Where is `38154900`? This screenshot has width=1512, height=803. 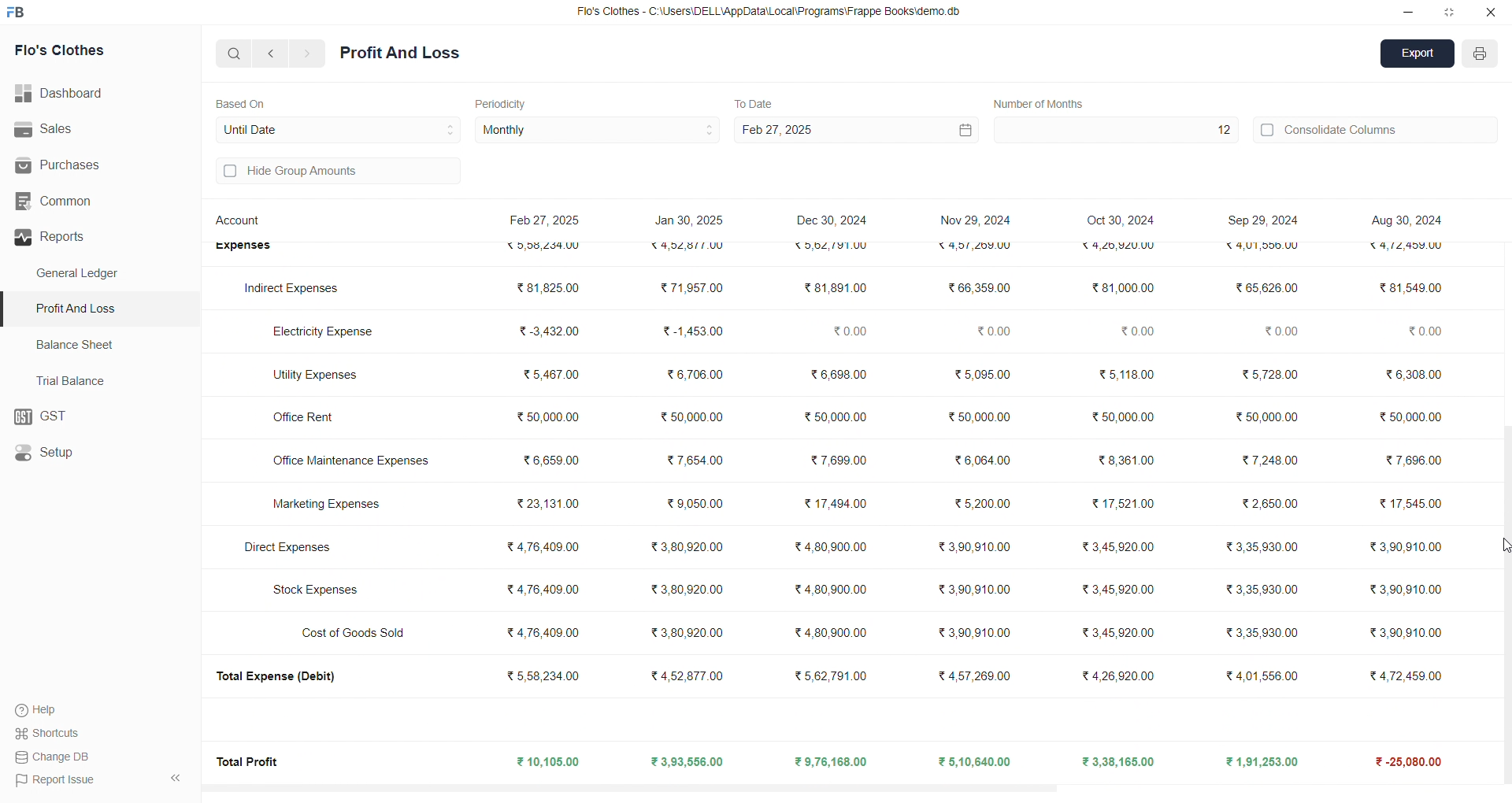
38154900 is located at coordinates (1410, 287).